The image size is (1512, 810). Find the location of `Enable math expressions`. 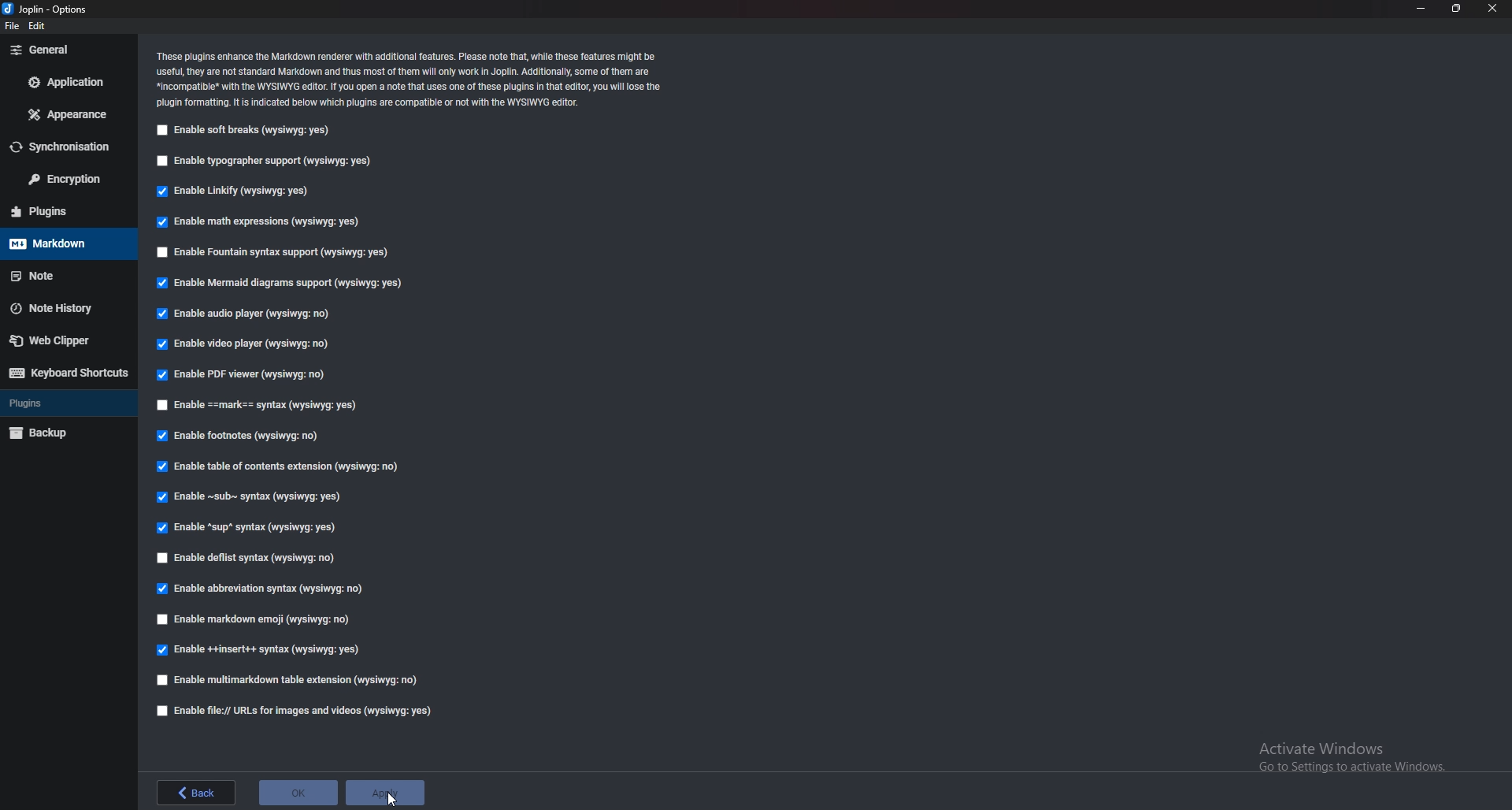

Enable math expressions is located at coordinates (256, 221).